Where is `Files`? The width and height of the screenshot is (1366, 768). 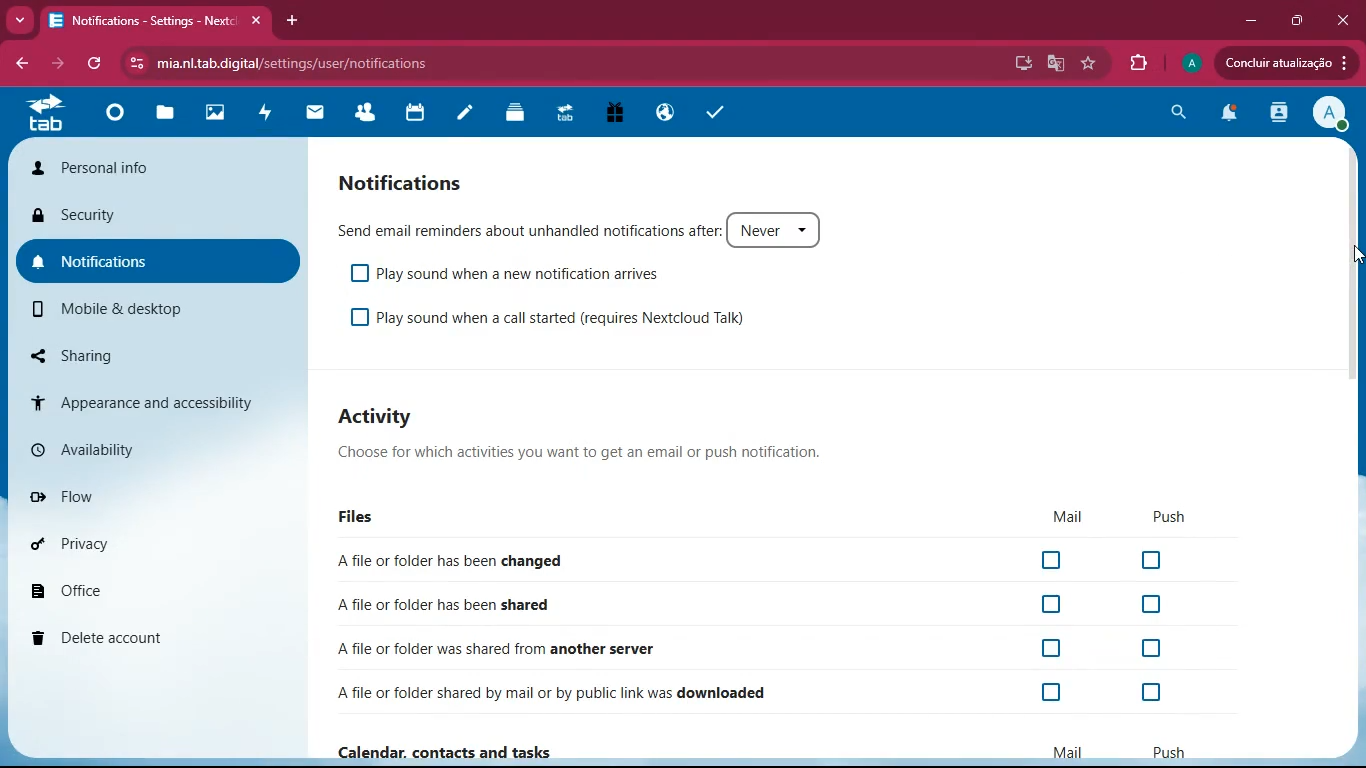 Files is located at coordinates (772, 519).